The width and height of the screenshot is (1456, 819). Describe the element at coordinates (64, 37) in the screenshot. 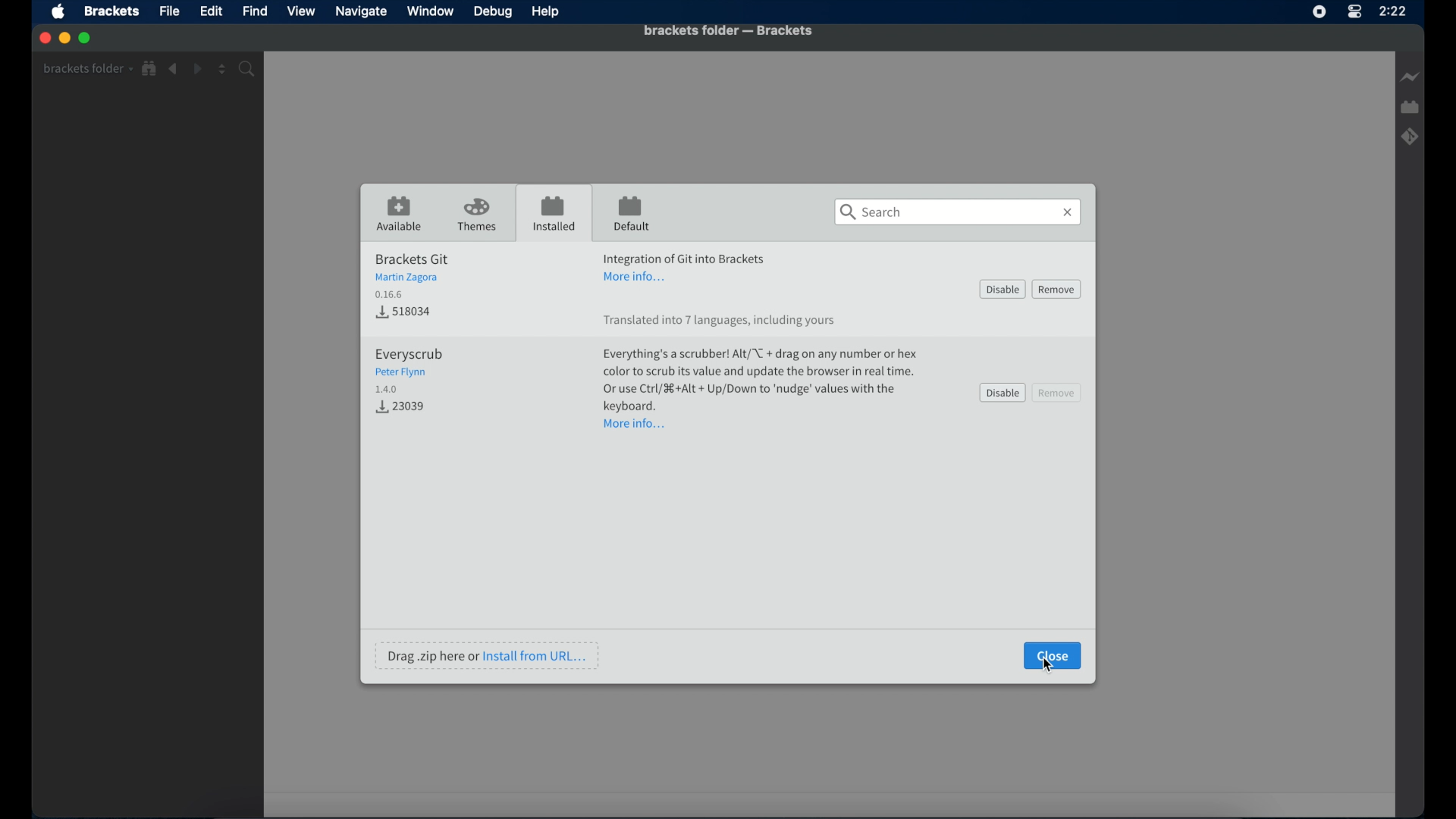

I see `minimize` at that location.